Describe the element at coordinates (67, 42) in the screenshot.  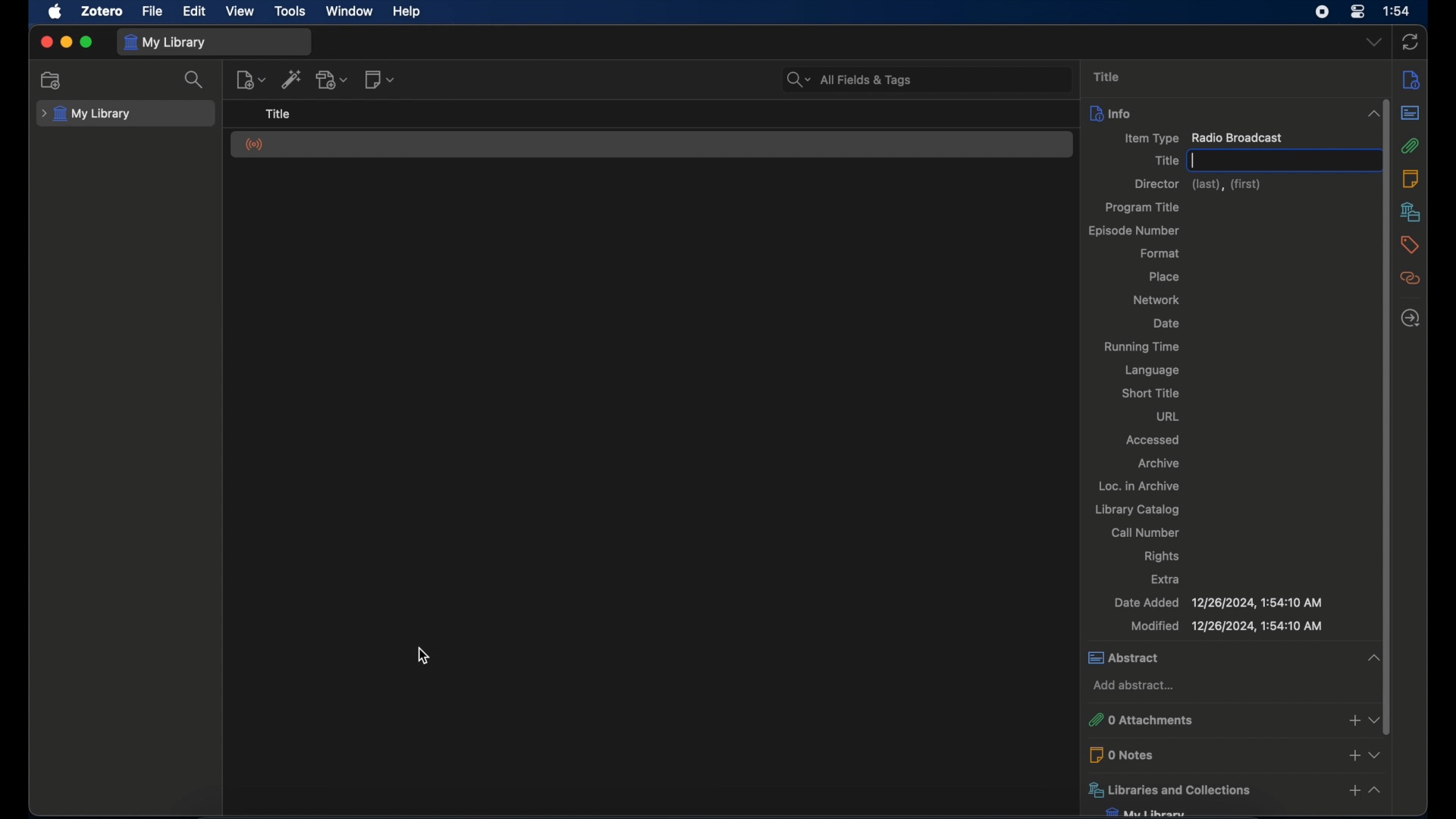
I see `minimize` at that location.